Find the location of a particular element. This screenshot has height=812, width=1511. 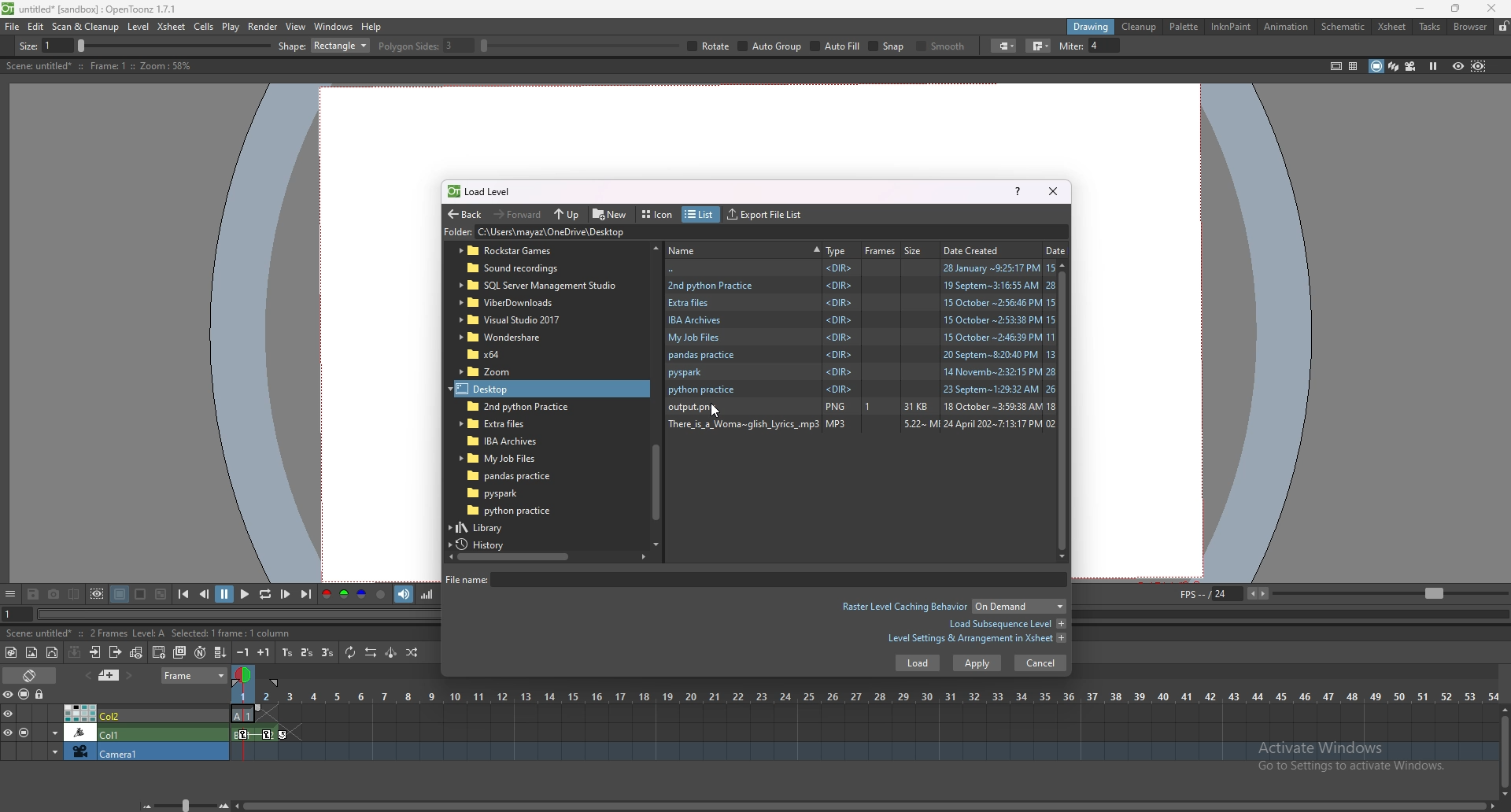

field guide is located at coordinates (1354, 66).